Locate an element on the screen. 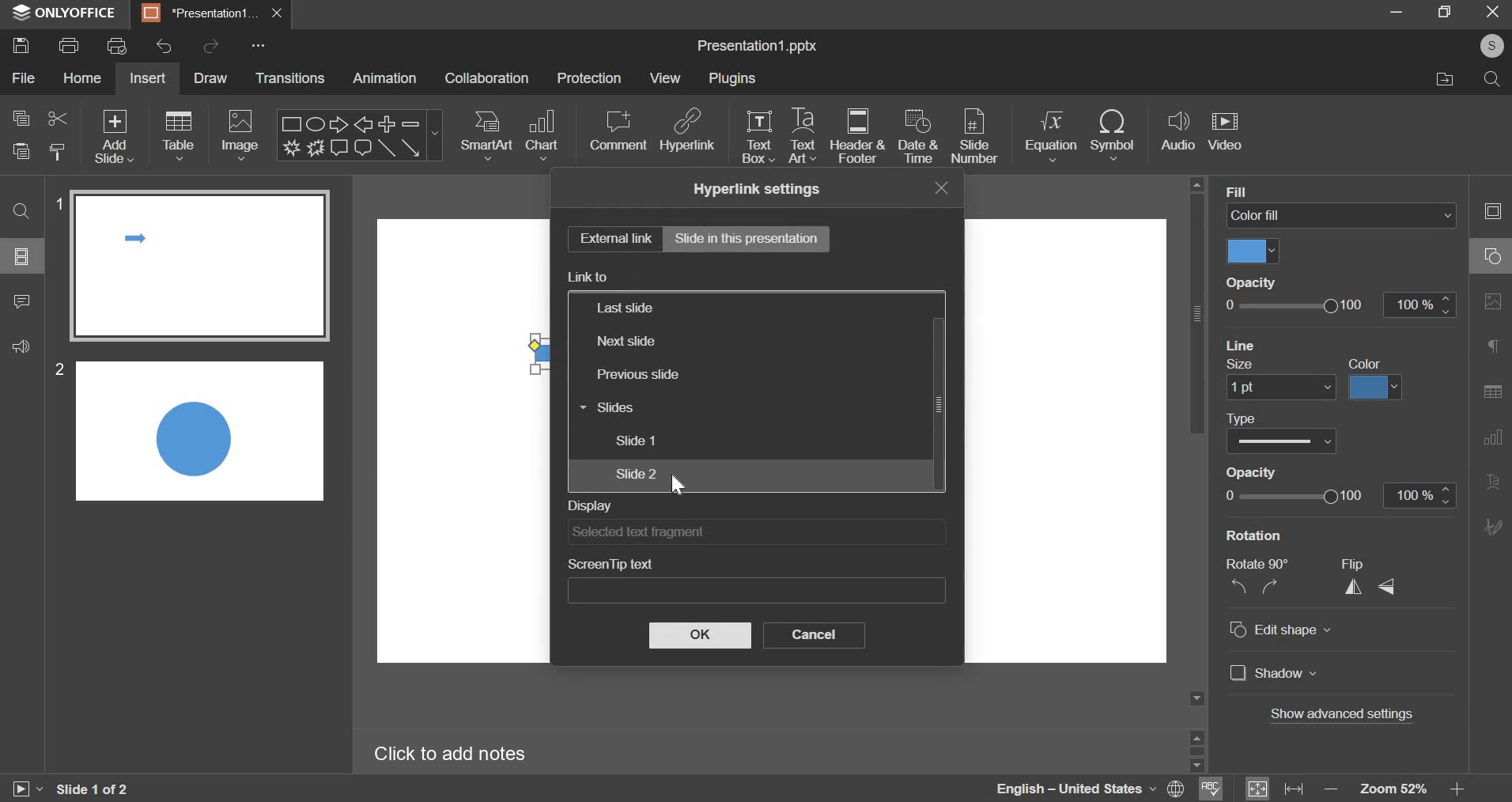 Image resolution: width=1512 pixels, height=802 pixels. redo is located at coordinates (214, 45).